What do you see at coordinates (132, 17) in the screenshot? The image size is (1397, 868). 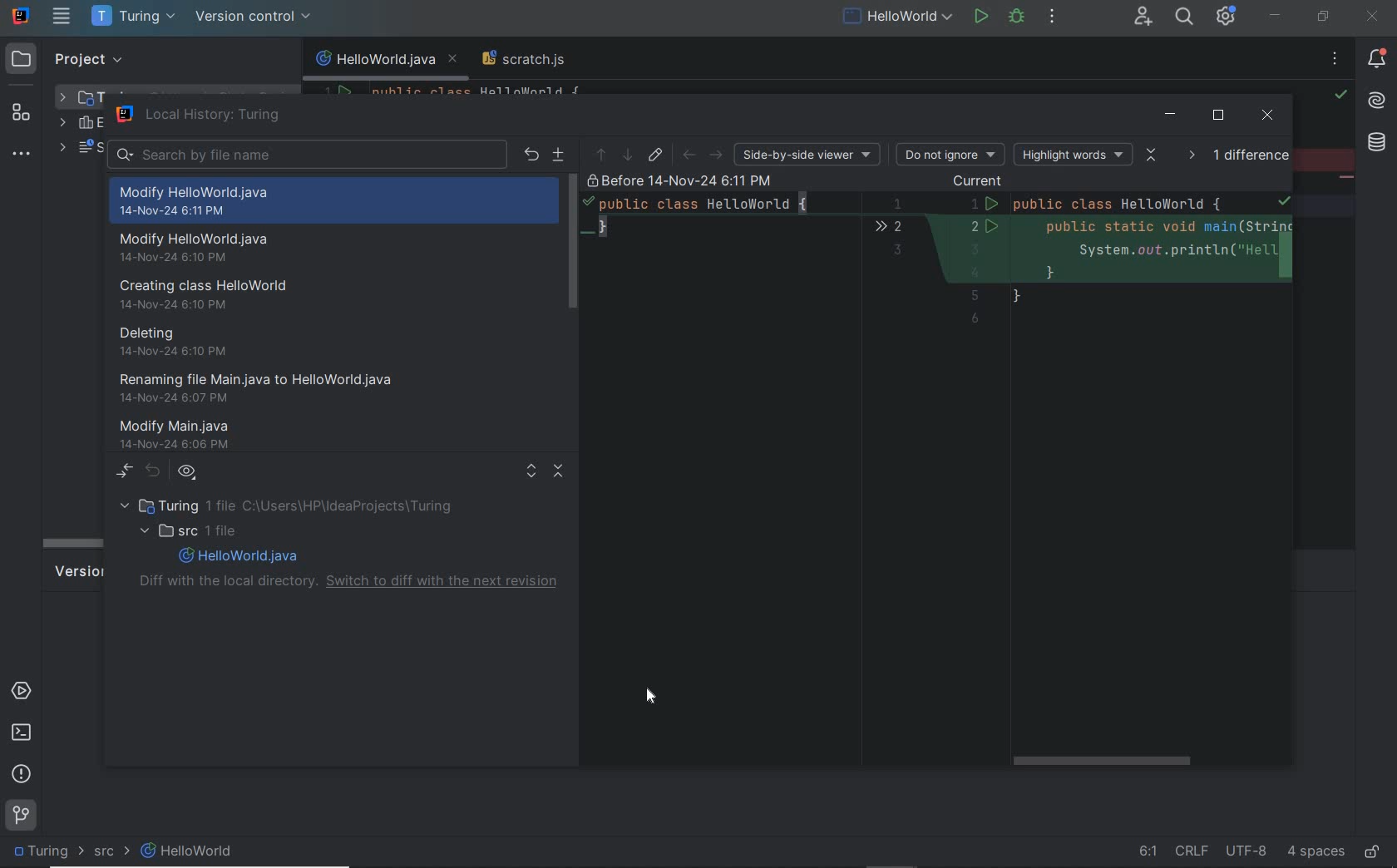 I see `project name` at bounding box center [132, 17].